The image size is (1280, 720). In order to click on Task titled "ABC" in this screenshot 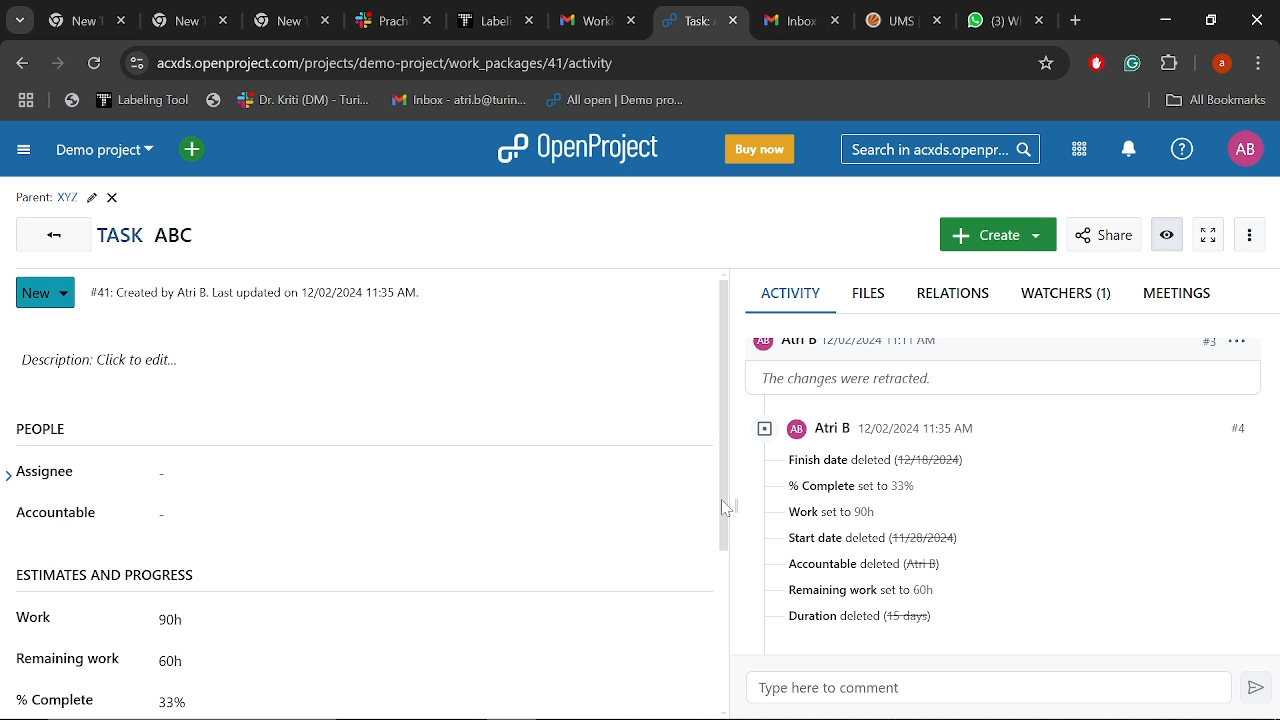, I will do `click(146, 234)`.